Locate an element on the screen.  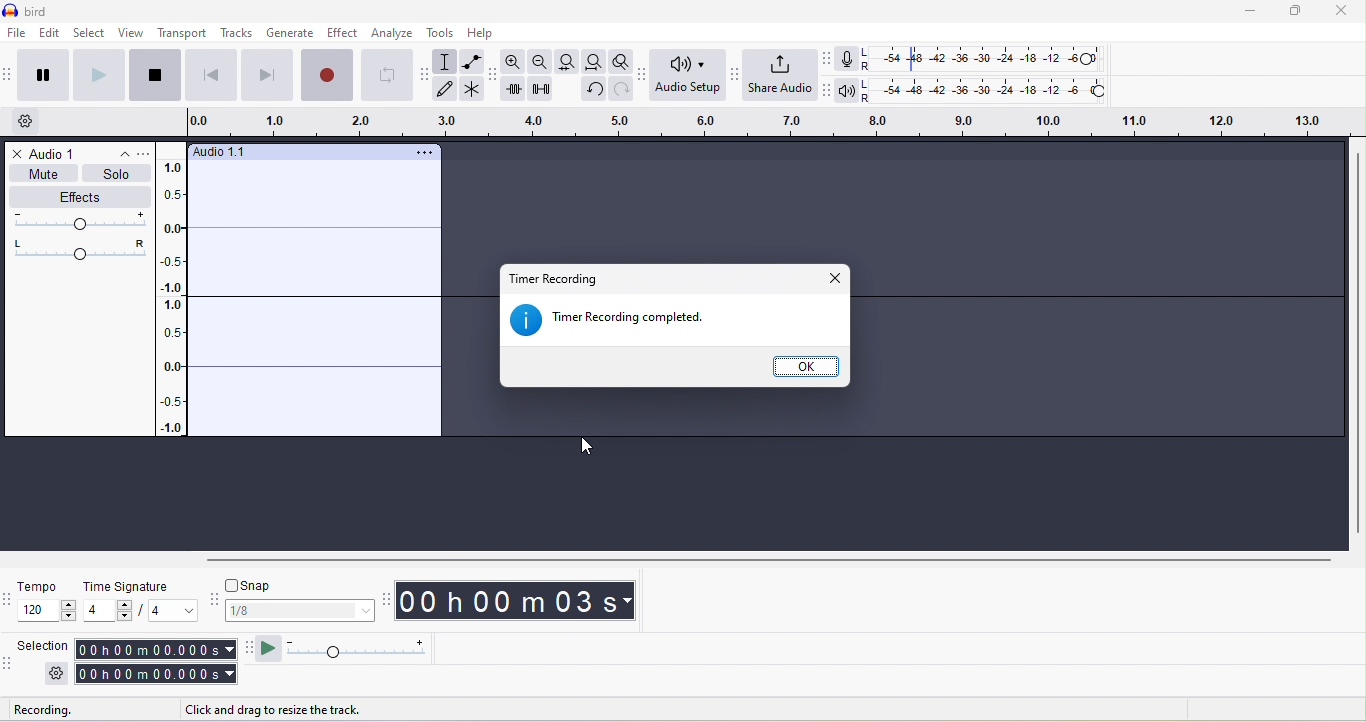
record/record new track is located at coordinates (325, 75).